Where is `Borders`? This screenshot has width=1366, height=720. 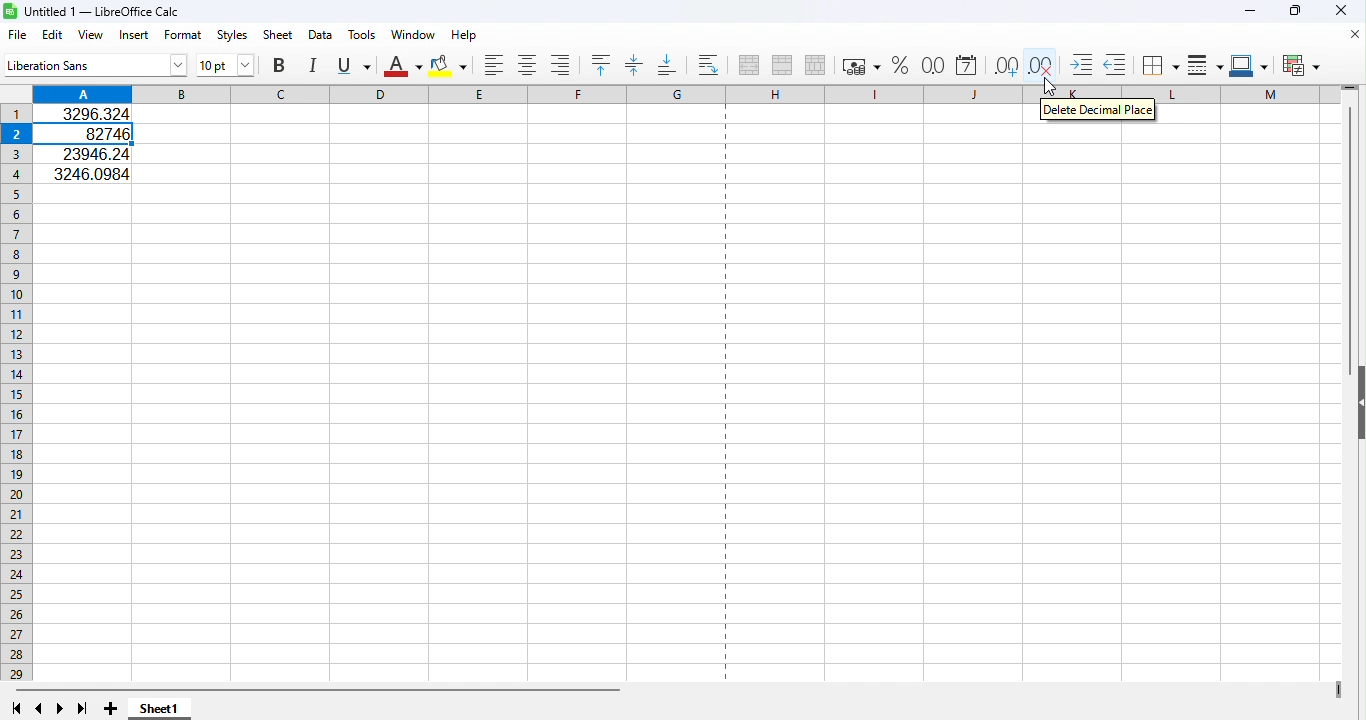
Borders is located at coordinates (1160, 64).